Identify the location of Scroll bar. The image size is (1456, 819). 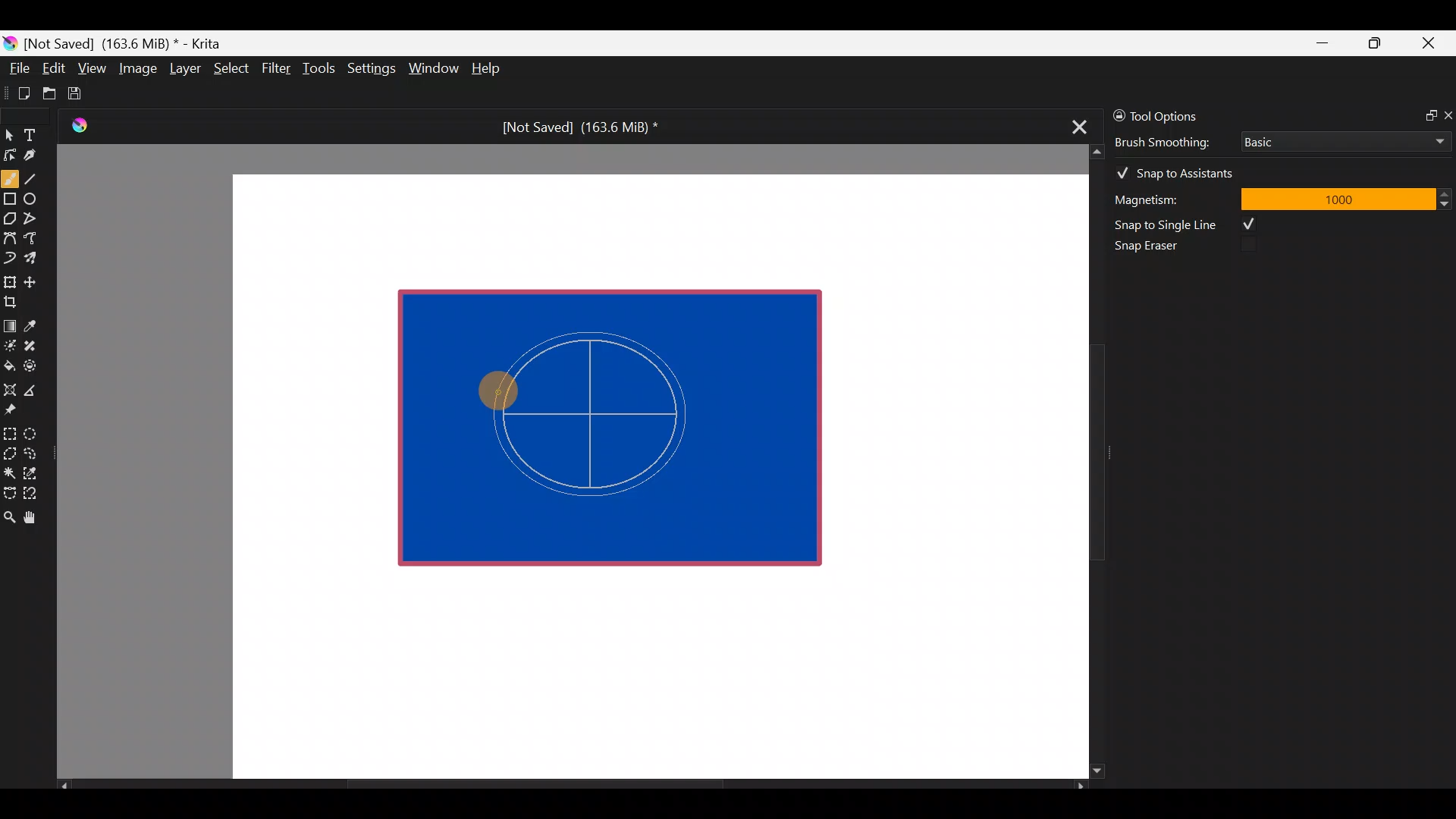
(1086, 462).